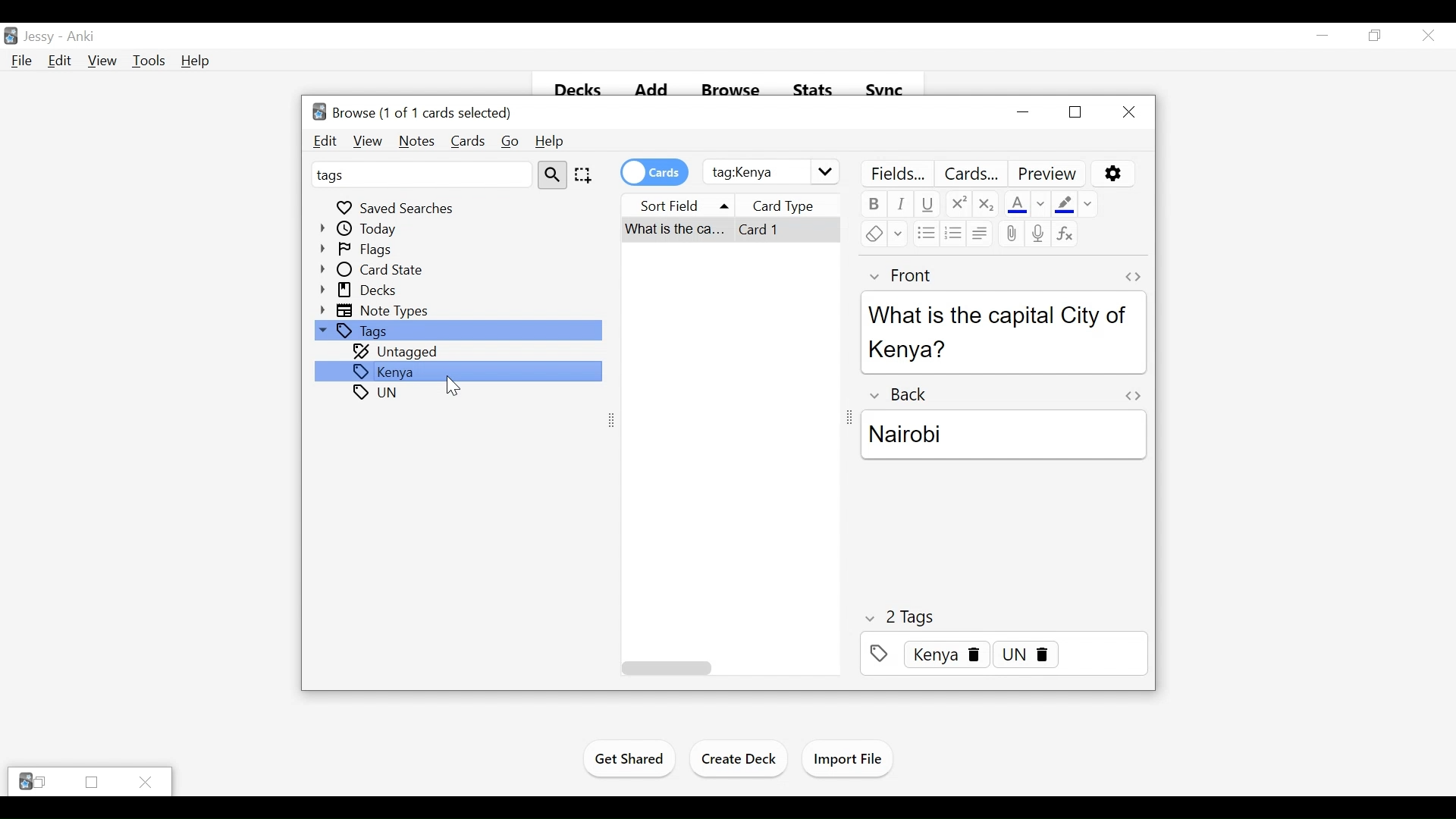 Image resolution: width=1456 pixels, height=819 pixels. Describe the element at coordinates (973, 174) in the screenshot. I see `Customize Cards Template` at that location.